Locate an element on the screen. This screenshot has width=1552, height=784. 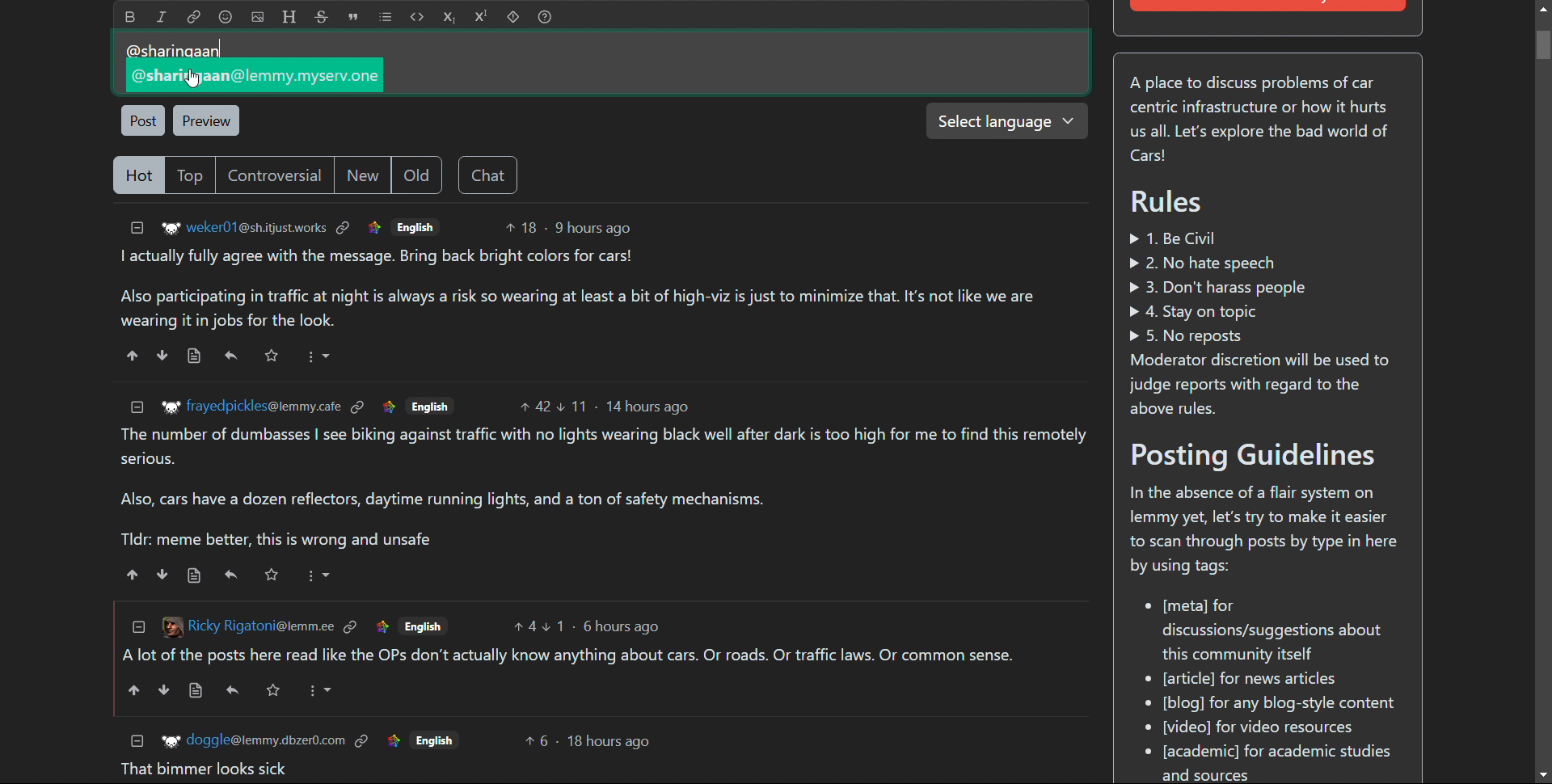
subscript is located at coordinates (449, 17).